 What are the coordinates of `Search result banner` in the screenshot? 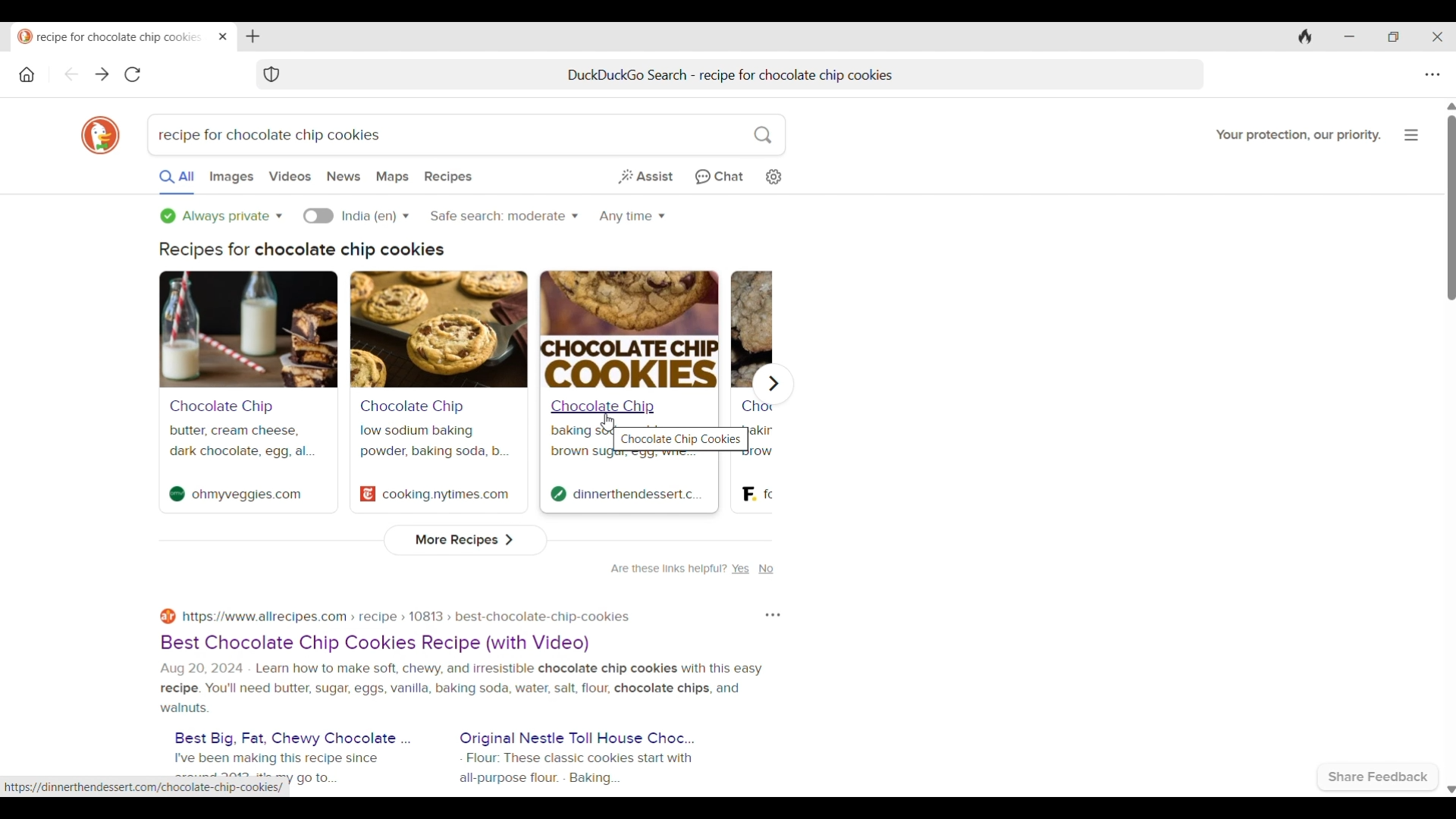 It's located at (439, 329).